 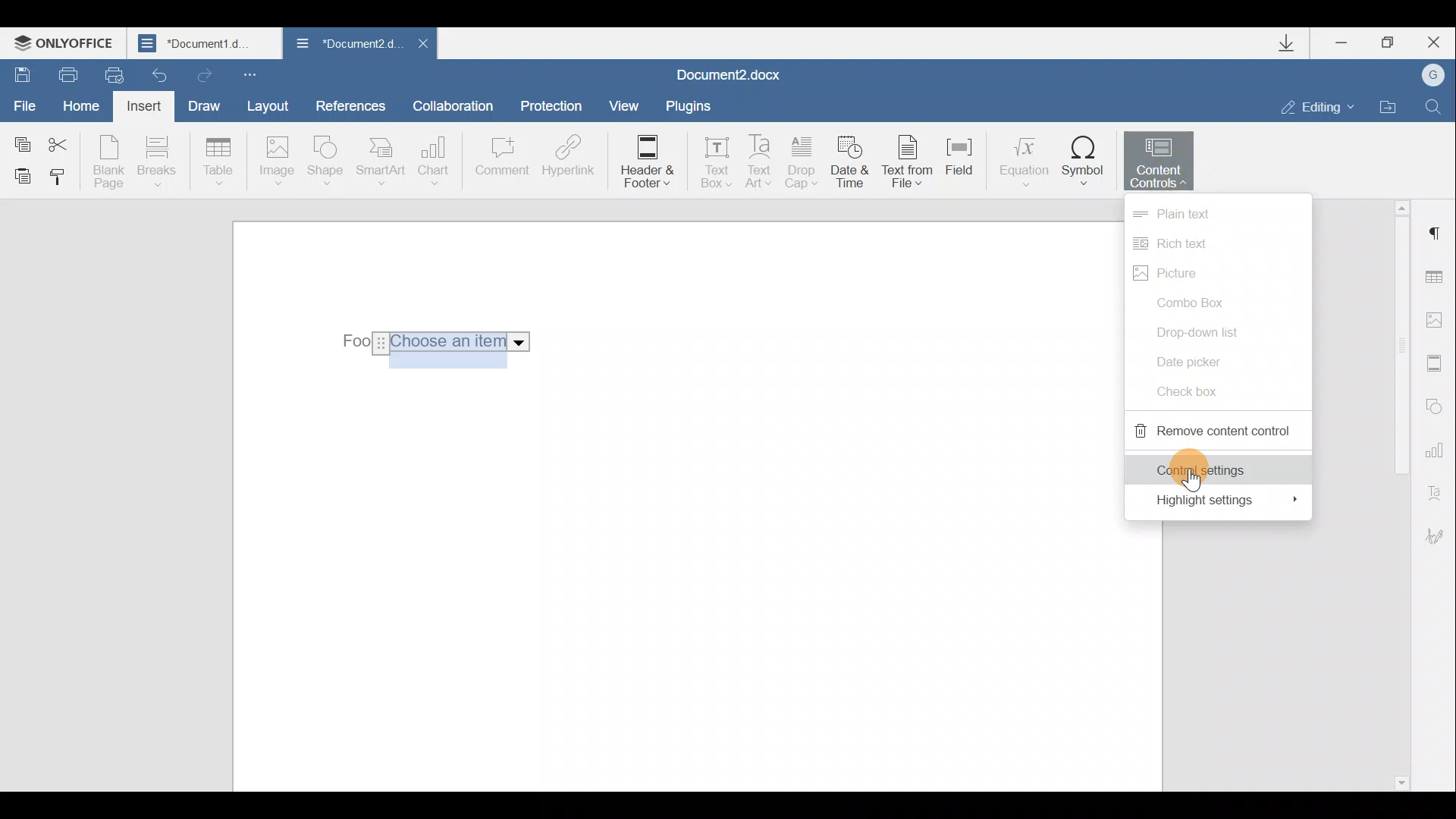 I want to click on Insert, so click(x=146, y=109).